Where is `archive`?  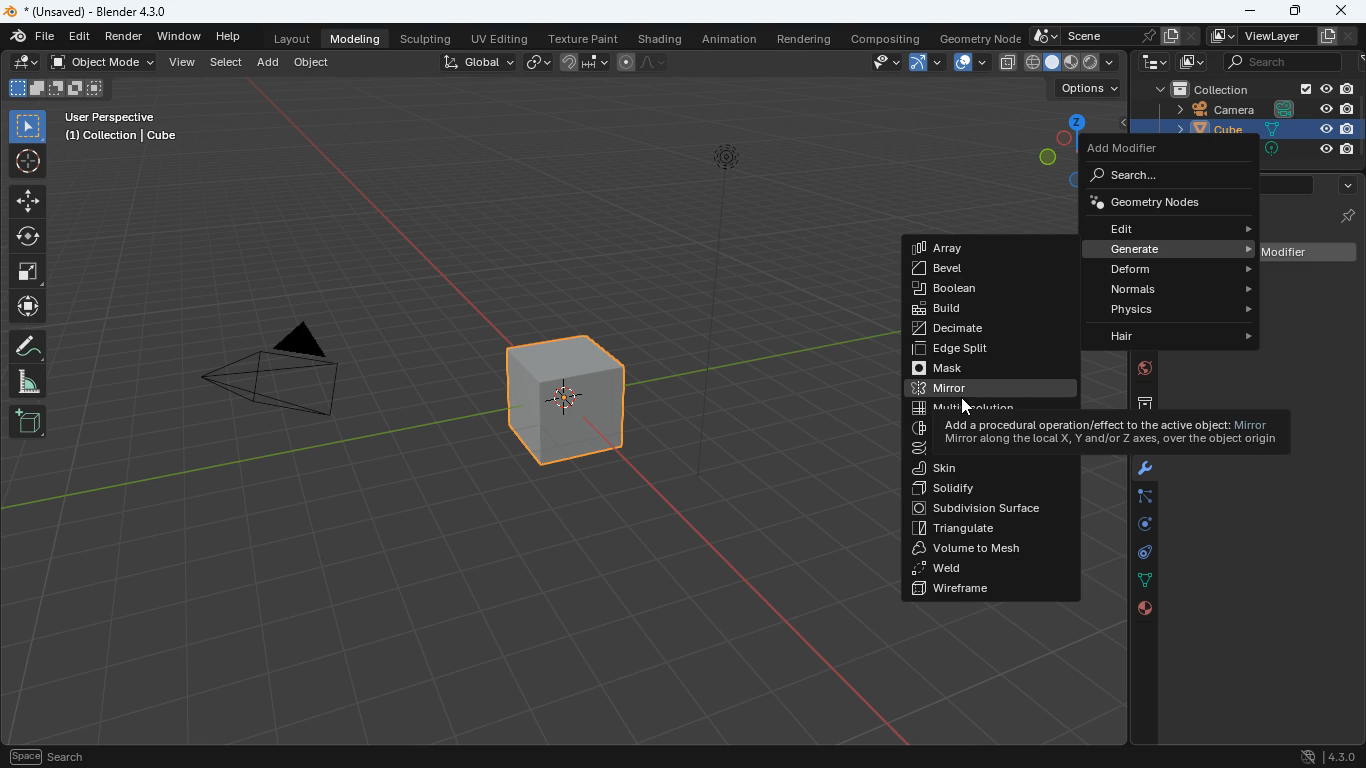
archive is located at coordinates (1135, 405).